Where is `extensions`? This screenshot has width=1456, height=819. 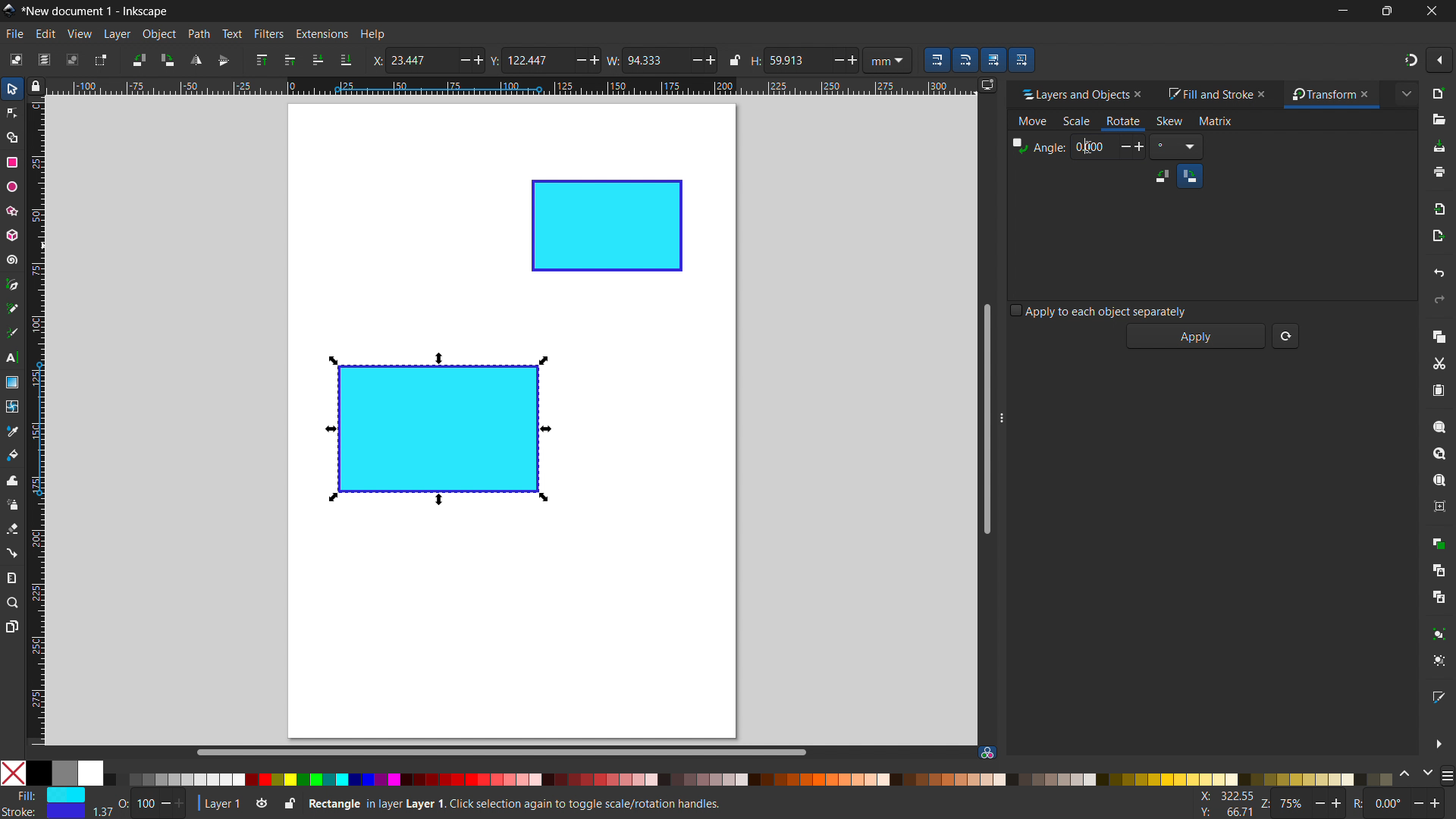 extensions is located at coordinates (321, 33).